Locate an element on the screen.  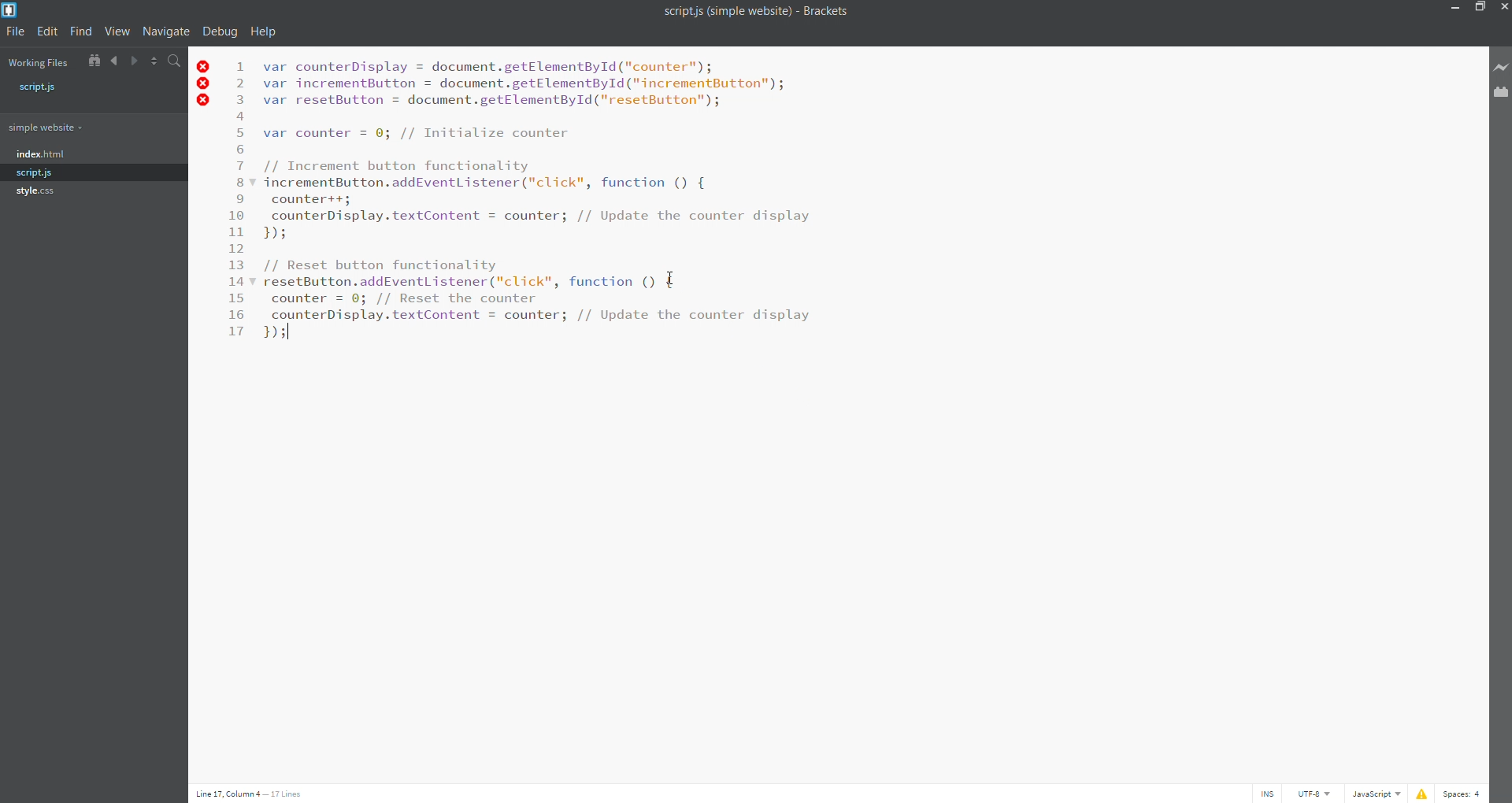
problem list is located at coordinates (1420, 794).